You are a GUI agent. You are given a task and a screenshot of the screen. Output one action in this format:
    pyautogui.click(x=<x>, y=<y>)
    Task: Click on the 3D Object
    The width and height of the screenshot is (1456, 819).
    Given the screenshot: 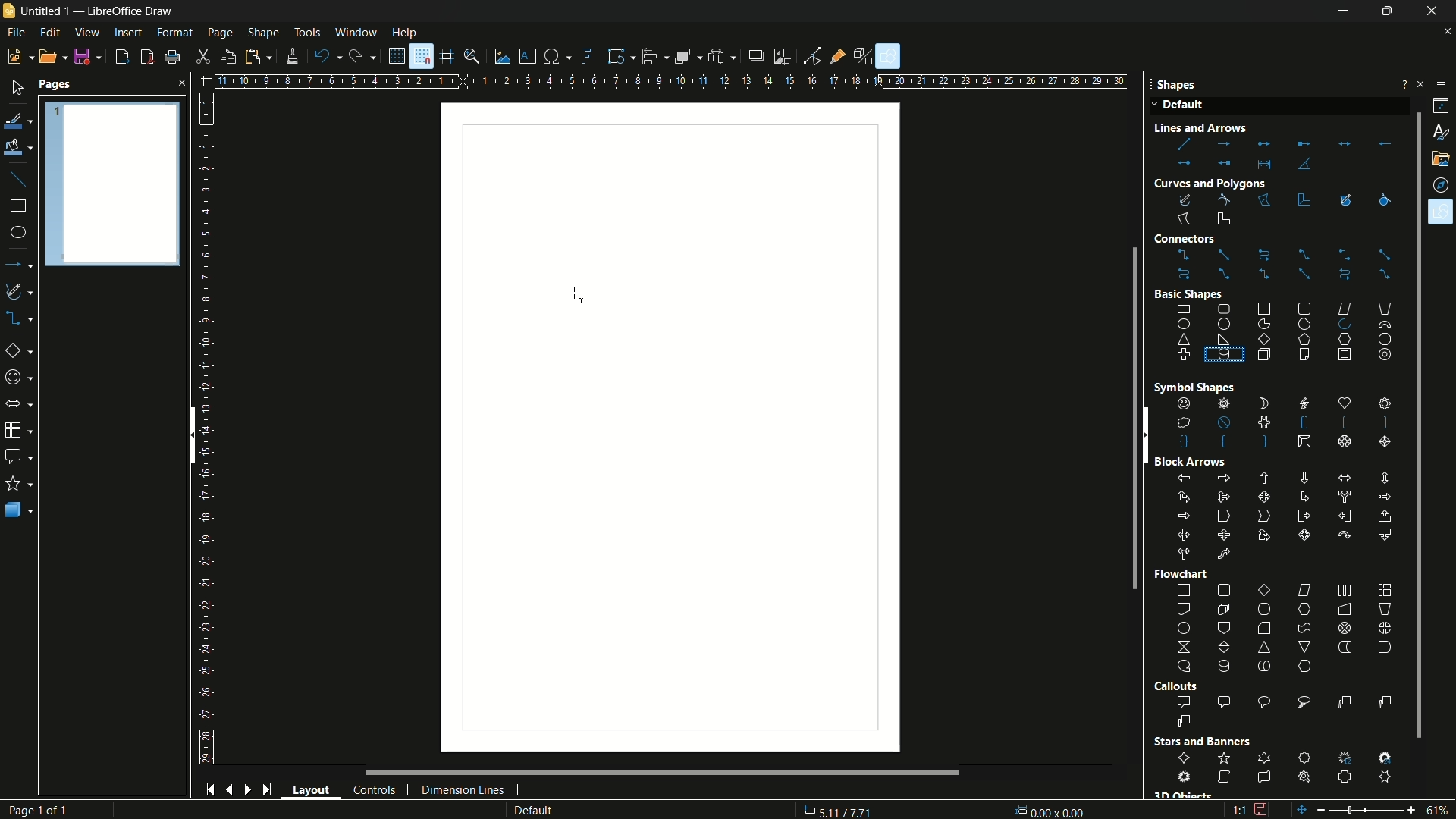 What is the action you would take?
    pyautogui.click(x=1182, y=795)
    